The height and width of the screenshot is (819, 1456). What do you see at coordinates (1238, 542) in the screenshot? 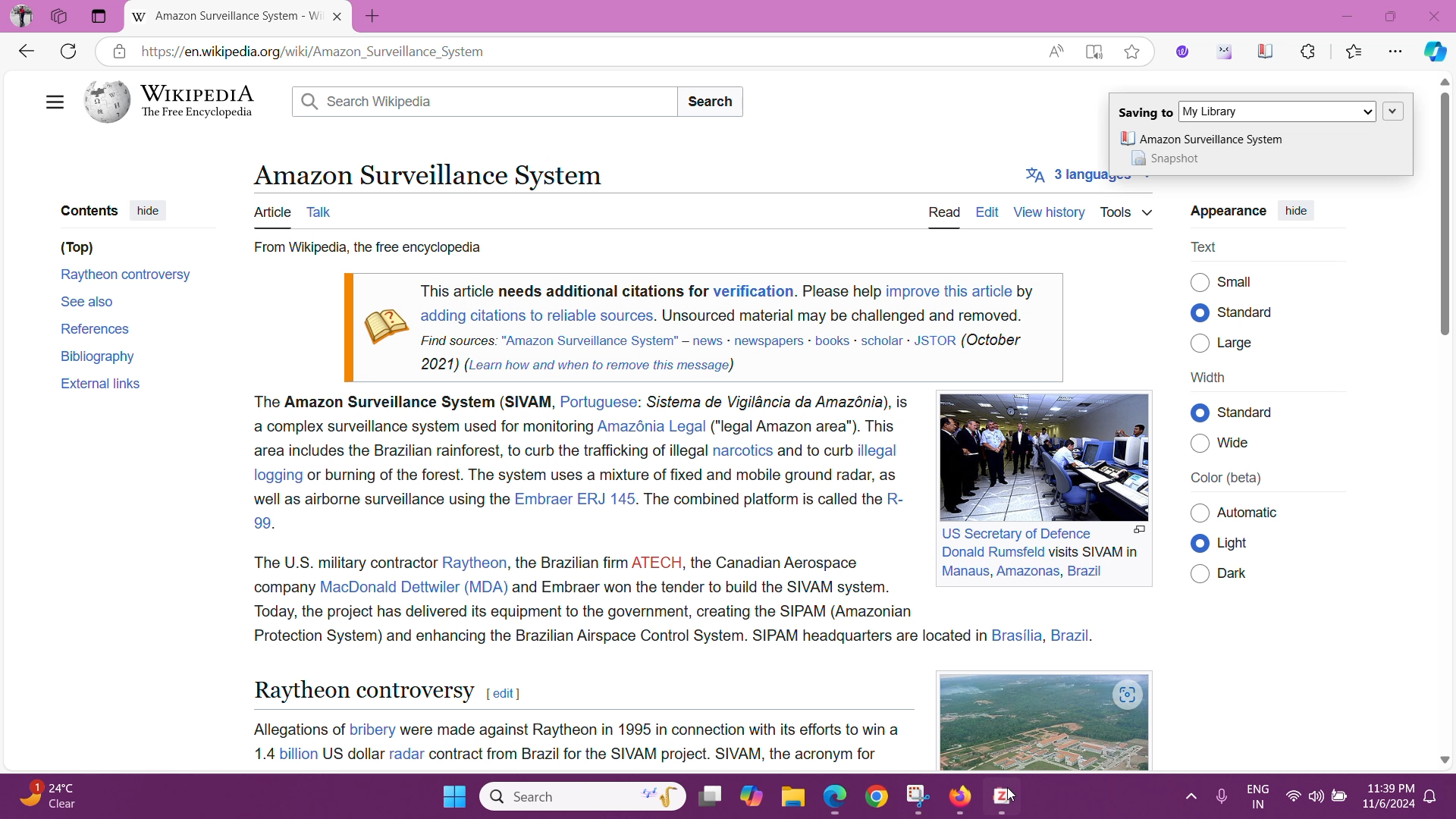
I see `© ScuiClaly Of Ucicnce Co © Light` at bounding box center [1238, 542].